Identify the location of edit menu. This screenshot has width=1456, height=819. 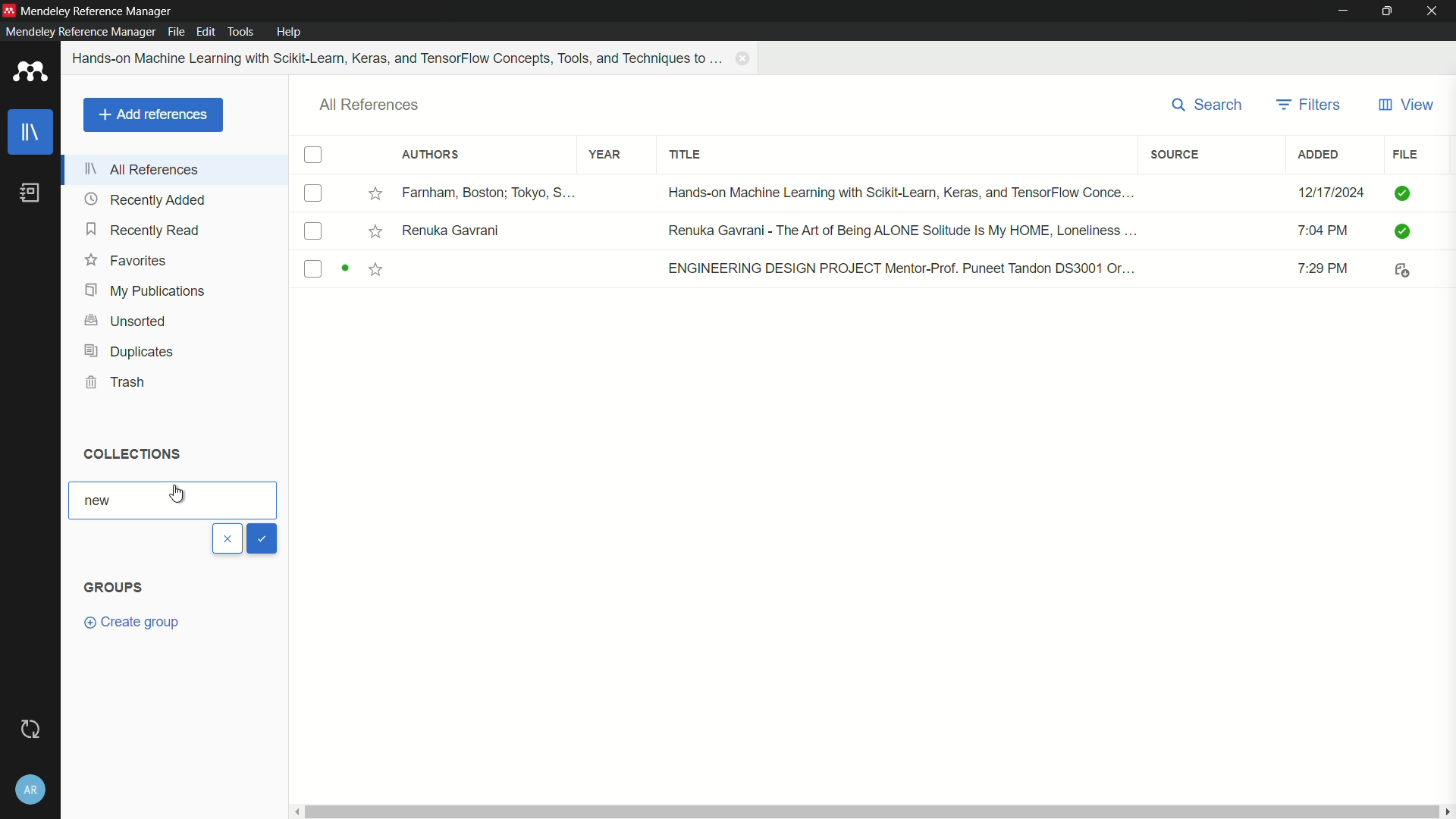
(206, 32).